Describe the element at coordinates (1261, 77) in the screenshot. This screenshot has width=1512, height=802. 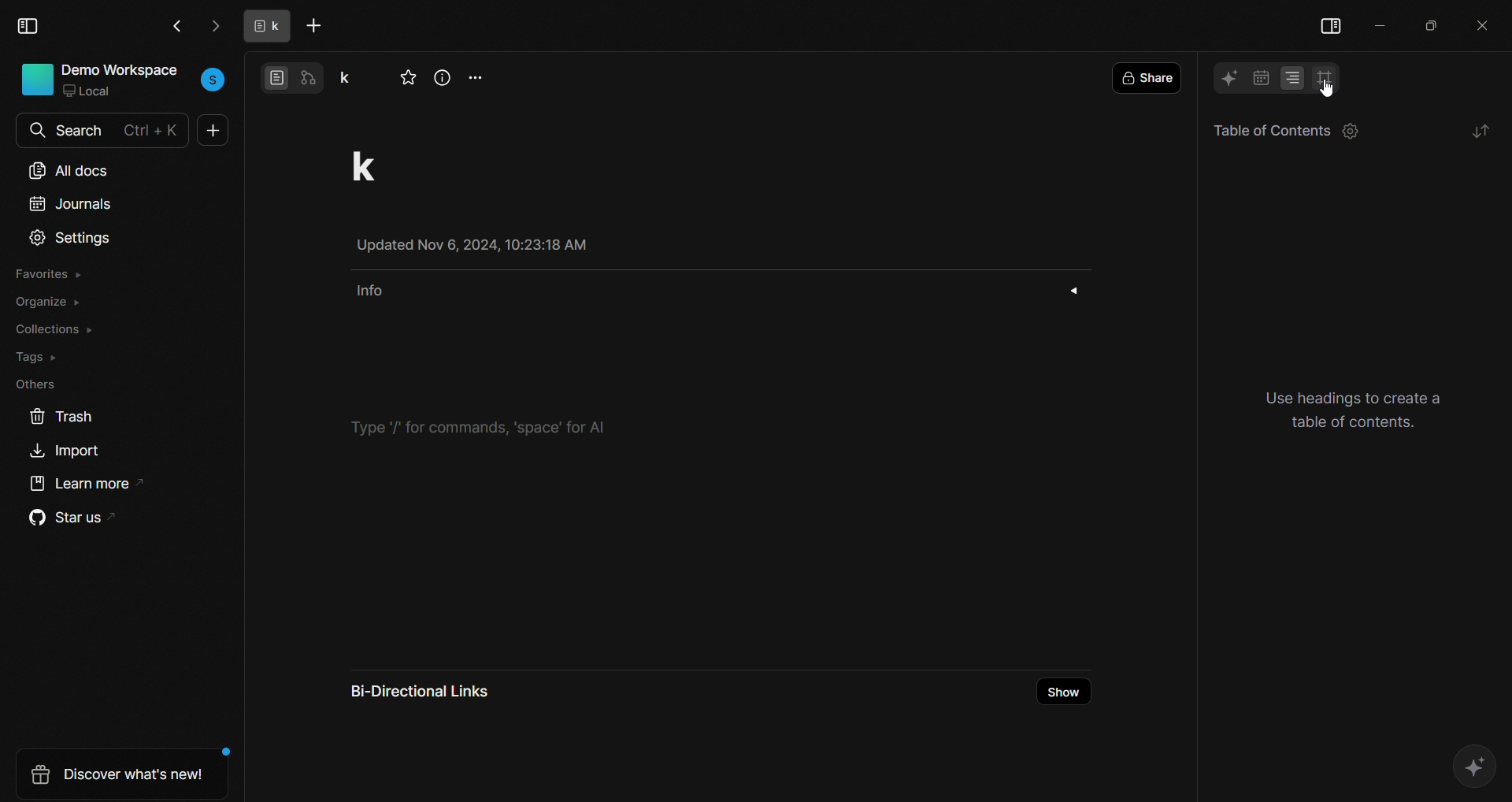
I see `calendar` at that location.